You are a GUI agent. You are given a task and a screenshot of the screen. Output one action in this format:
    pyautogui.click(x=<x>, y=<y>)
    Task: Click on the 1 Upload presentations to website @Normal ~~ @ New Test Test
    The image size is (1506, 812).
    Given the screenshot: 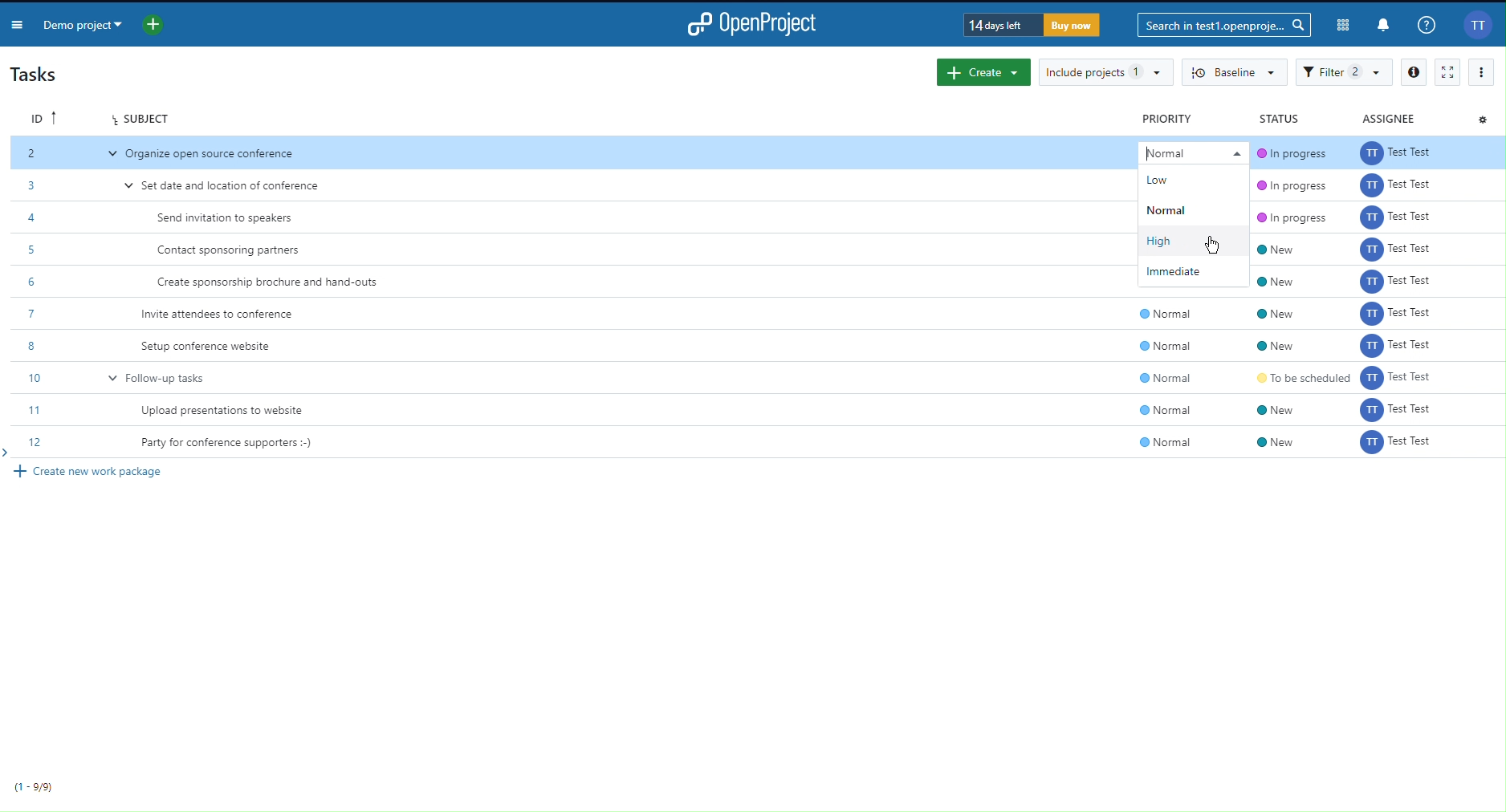 What is the action you would take?
    pyautogui.click(x=764, y=407)
    